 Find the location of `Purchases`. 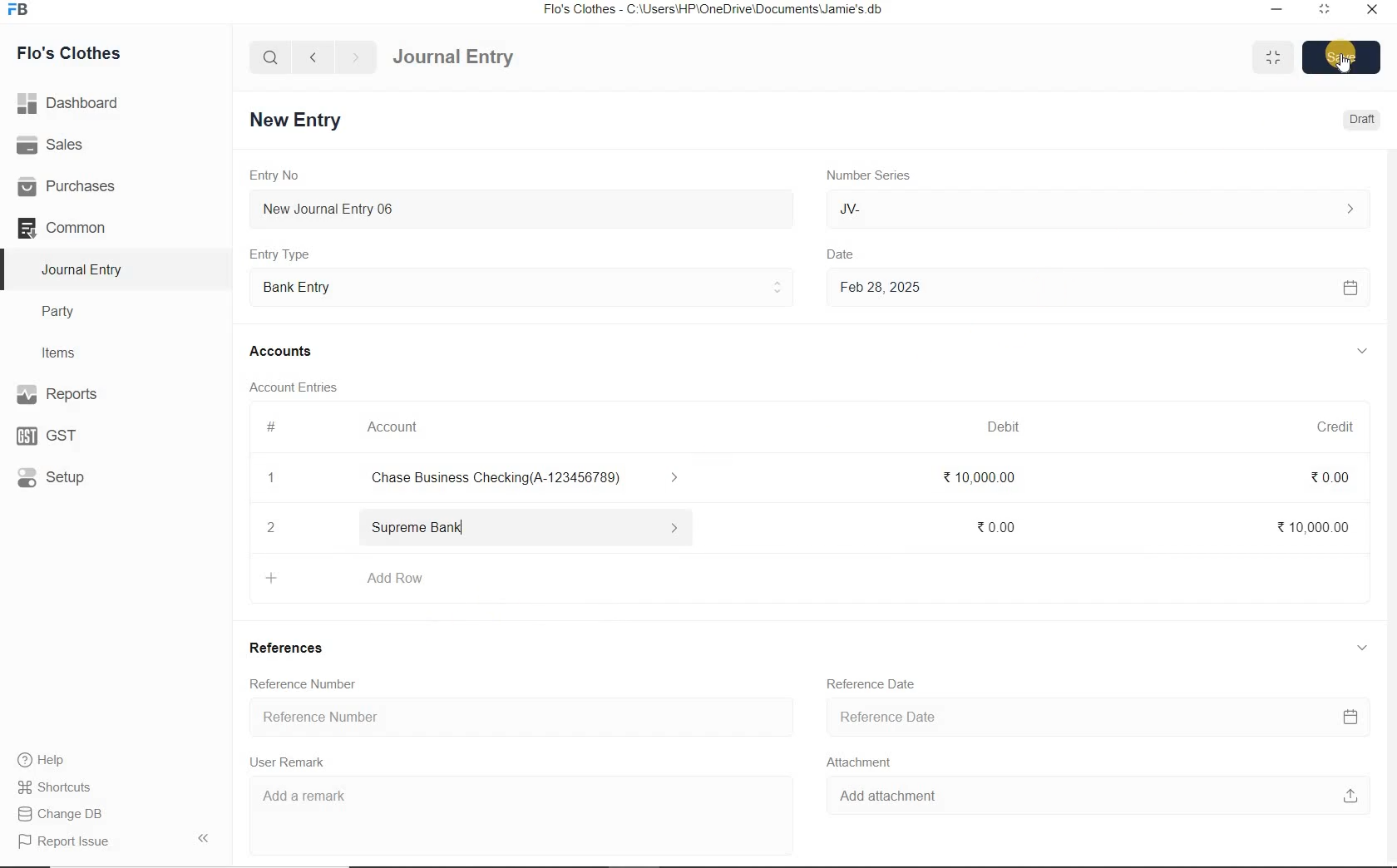

Purchases is located at coordinates (74, 185).